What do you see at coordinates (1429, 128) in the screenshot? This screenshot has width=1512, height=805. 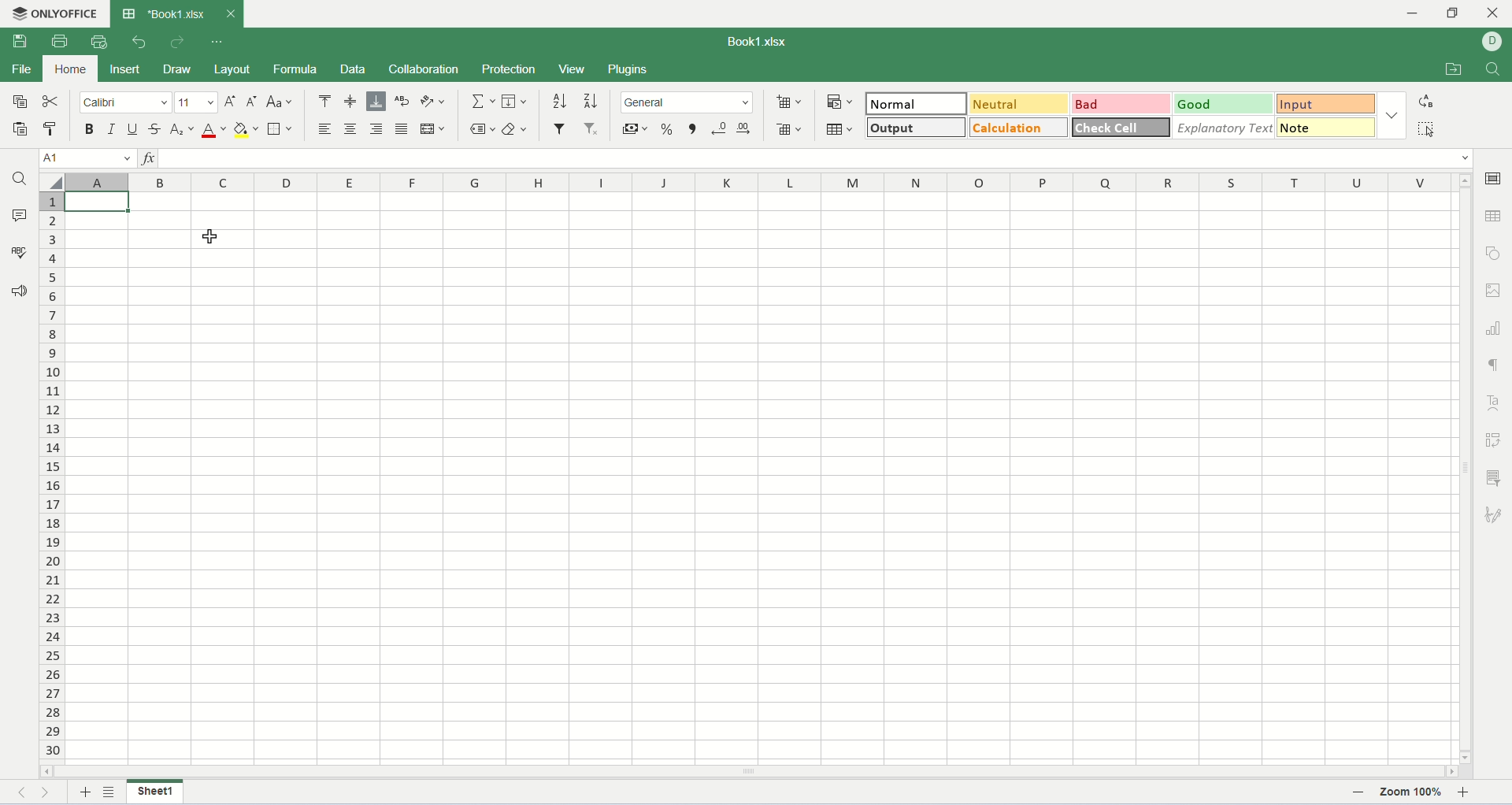 I see `select all` at bounding box center [1429, 128].